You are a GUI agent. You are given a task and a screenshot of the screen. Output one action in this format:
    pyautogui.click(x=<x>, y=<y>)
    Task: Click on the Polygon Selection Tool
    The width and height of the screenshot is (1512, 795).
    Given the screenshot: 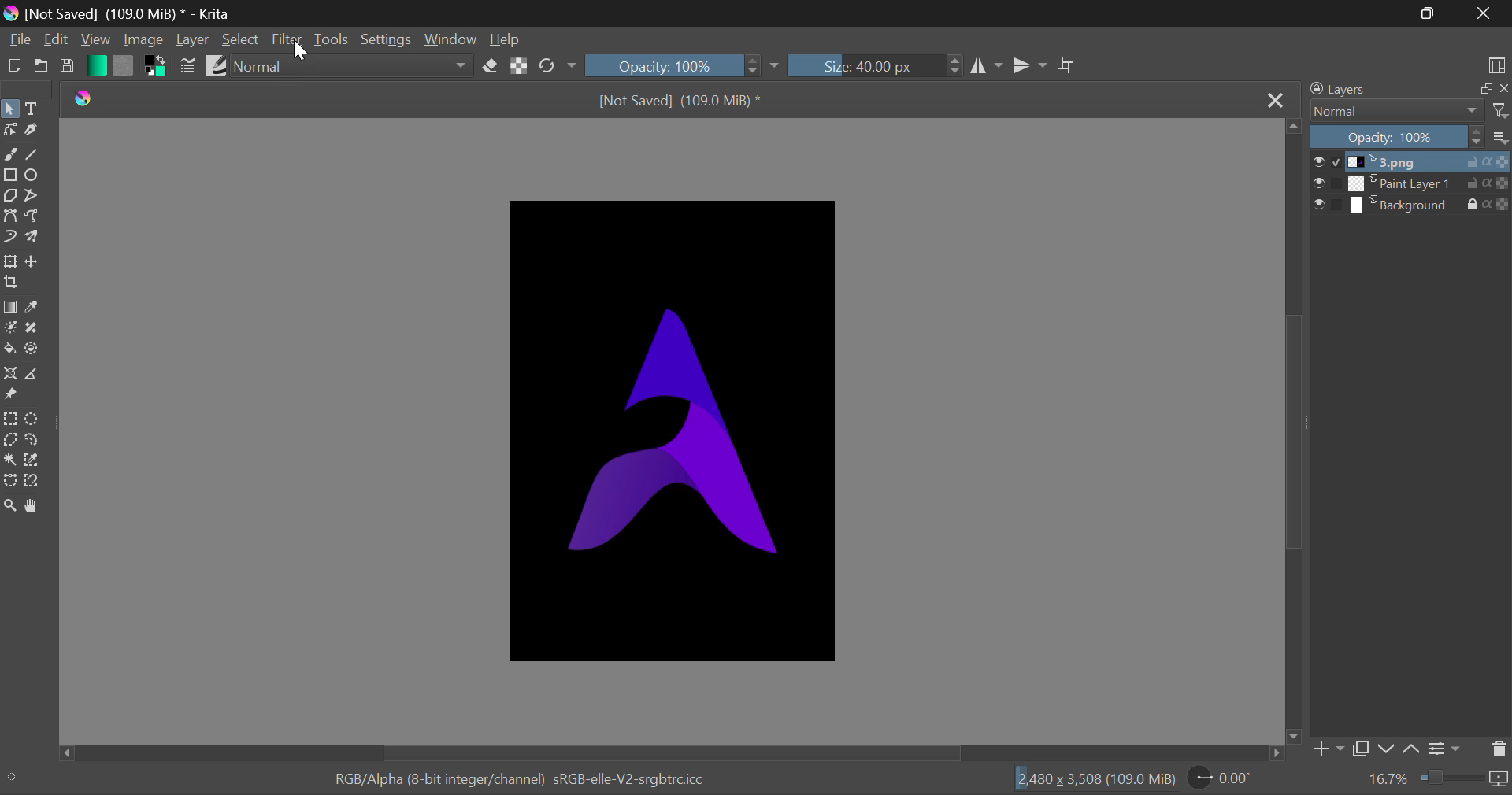 What is the action you would take?
    pyautogui.click(x=9, y=439)
    